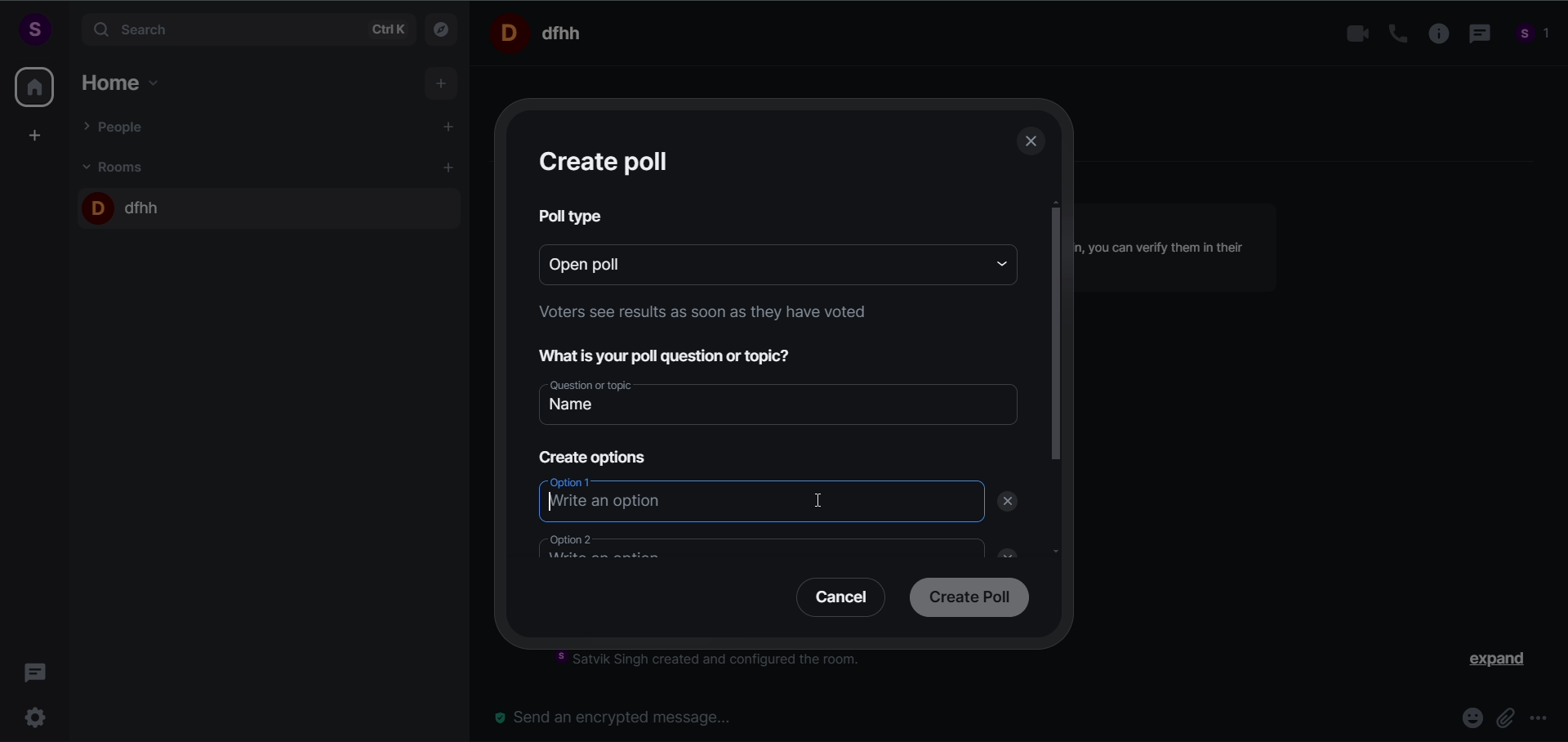  Describe the element at coordinates (117, 126) in the screenshot. I see `people` at that location.